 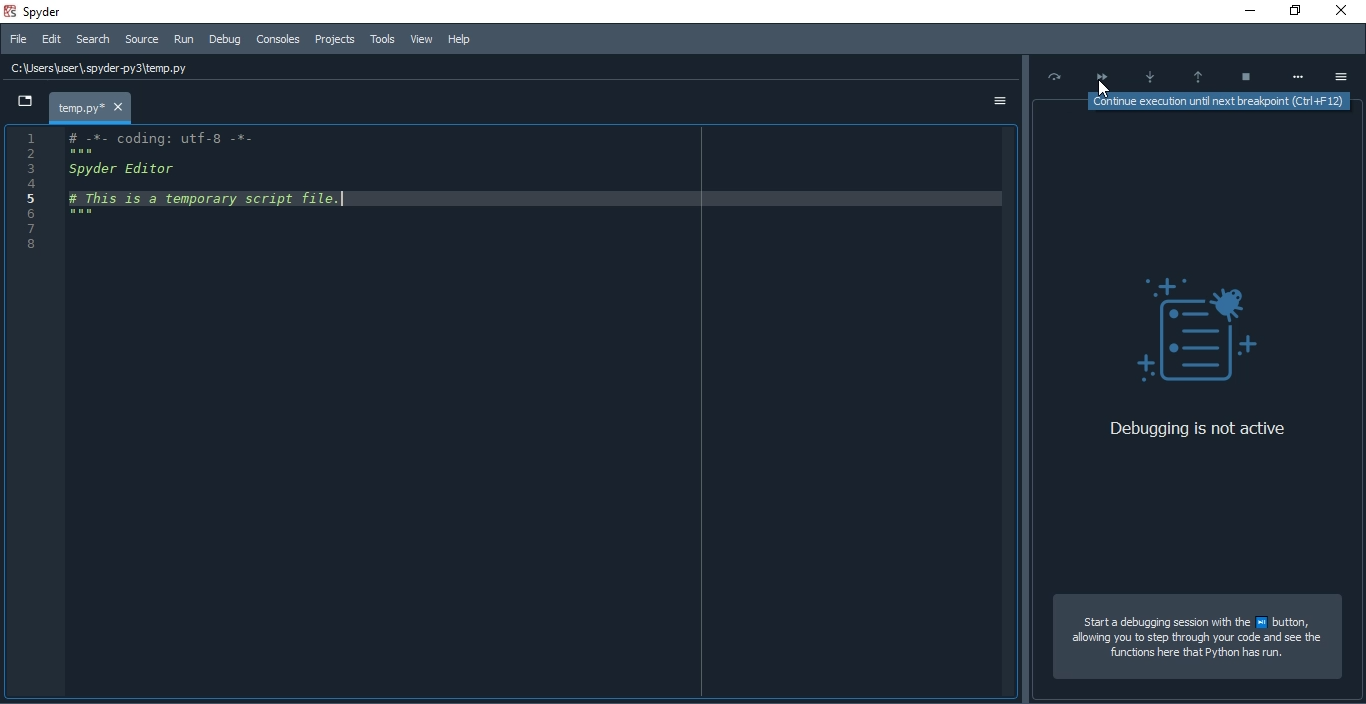 What do you see at coordinates (334, 39) in the screenshot?
I see `Consoles` at bounding box center [334, 39].